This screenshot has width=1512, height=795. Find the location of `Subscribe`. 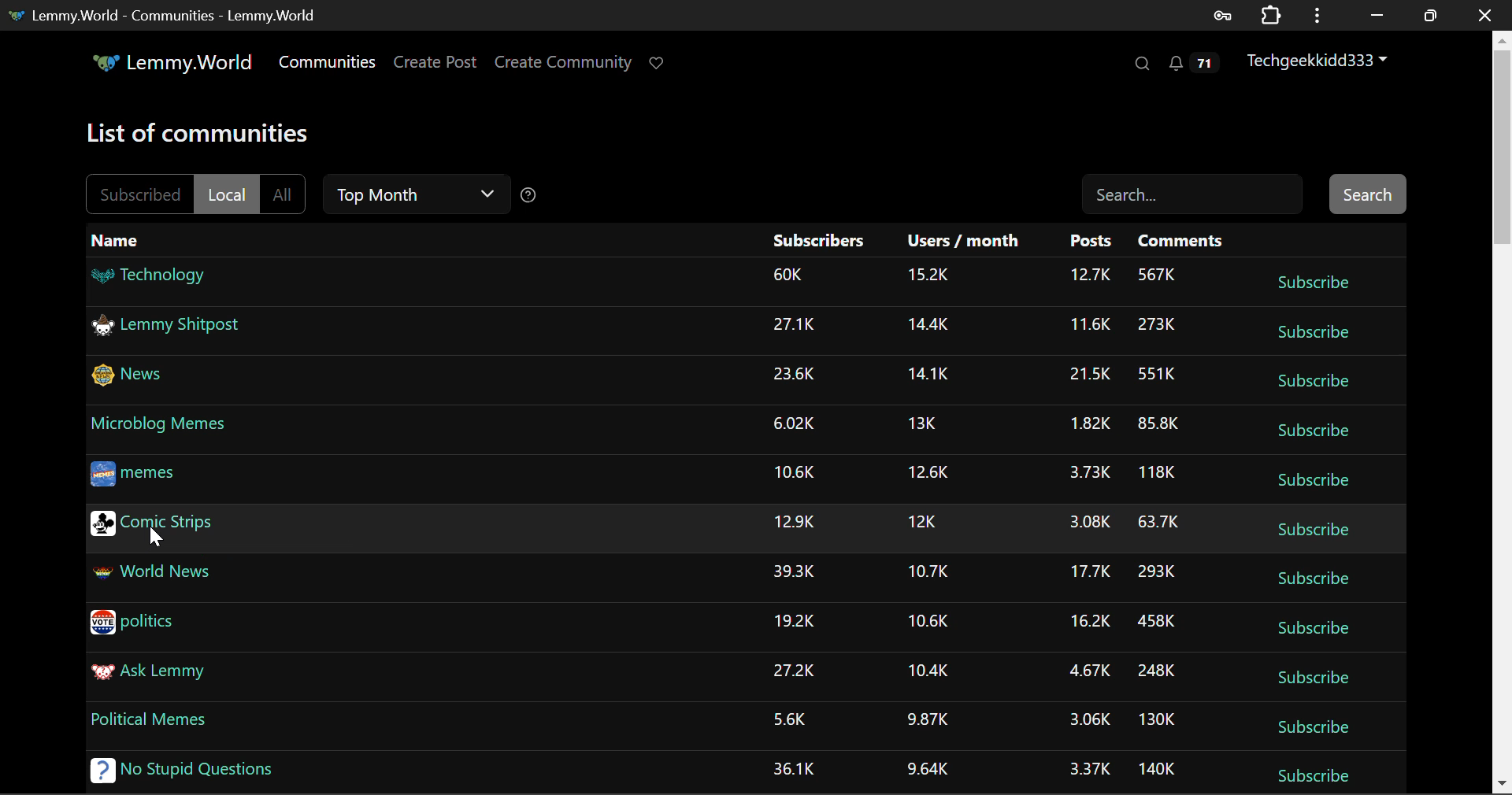

Subscribe is located at coordinates (1310, 429).